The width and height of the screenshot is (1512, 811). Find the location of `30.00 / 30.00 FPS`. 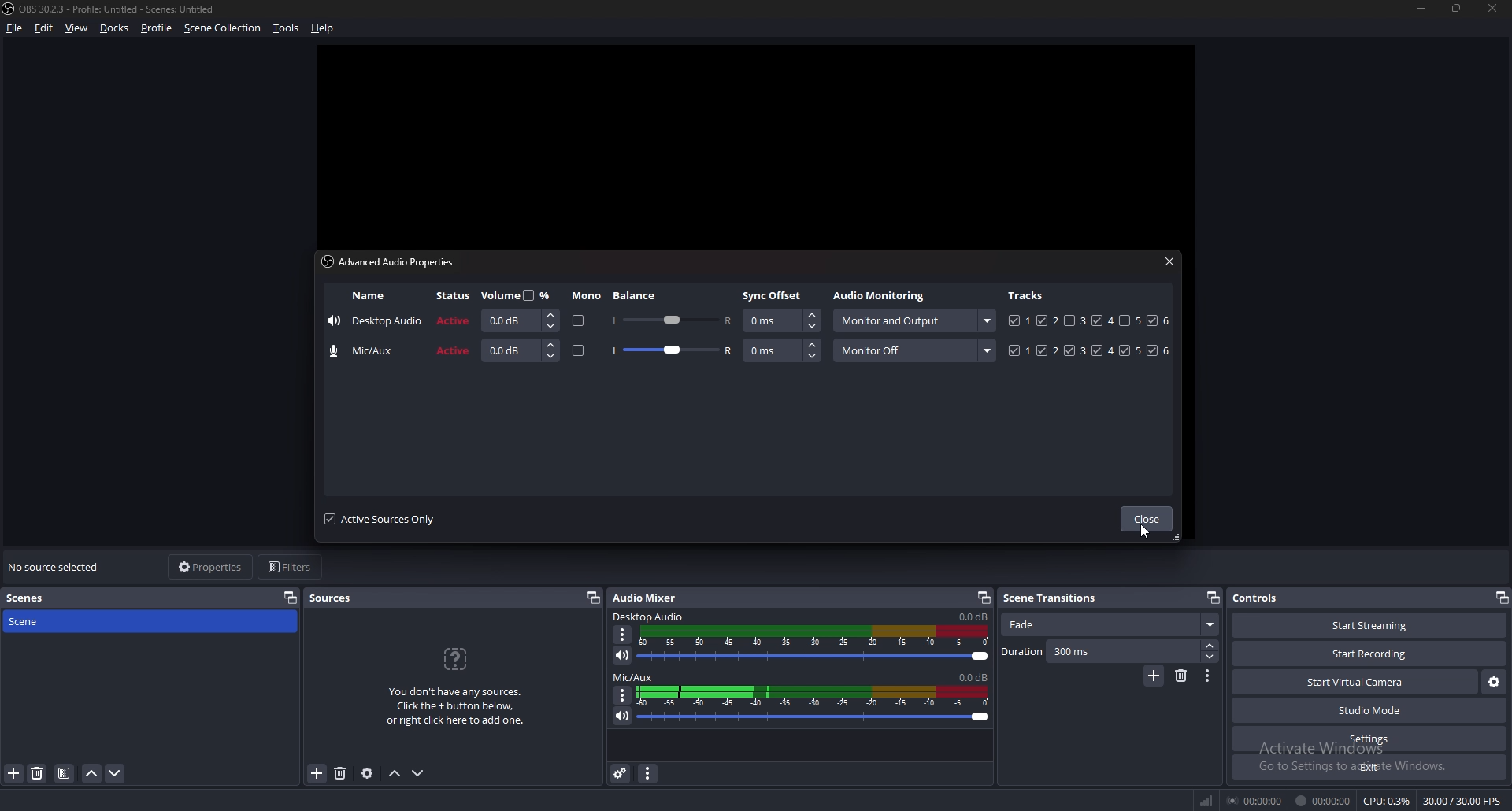

30.00 / 30.00 FPS is located at coordinates (1461, 801).